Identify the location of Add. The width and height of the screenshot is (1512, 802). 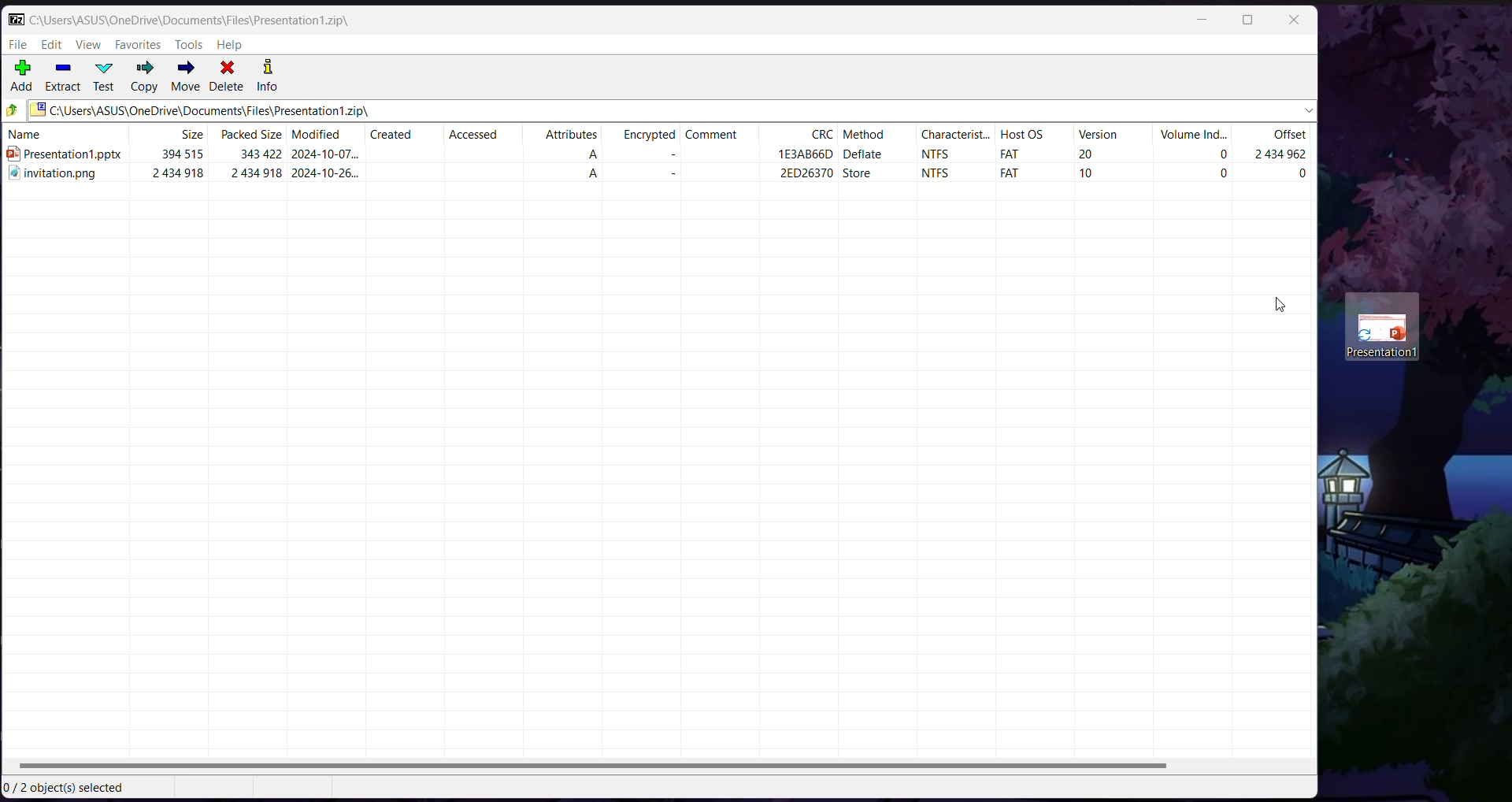
(22, 76).